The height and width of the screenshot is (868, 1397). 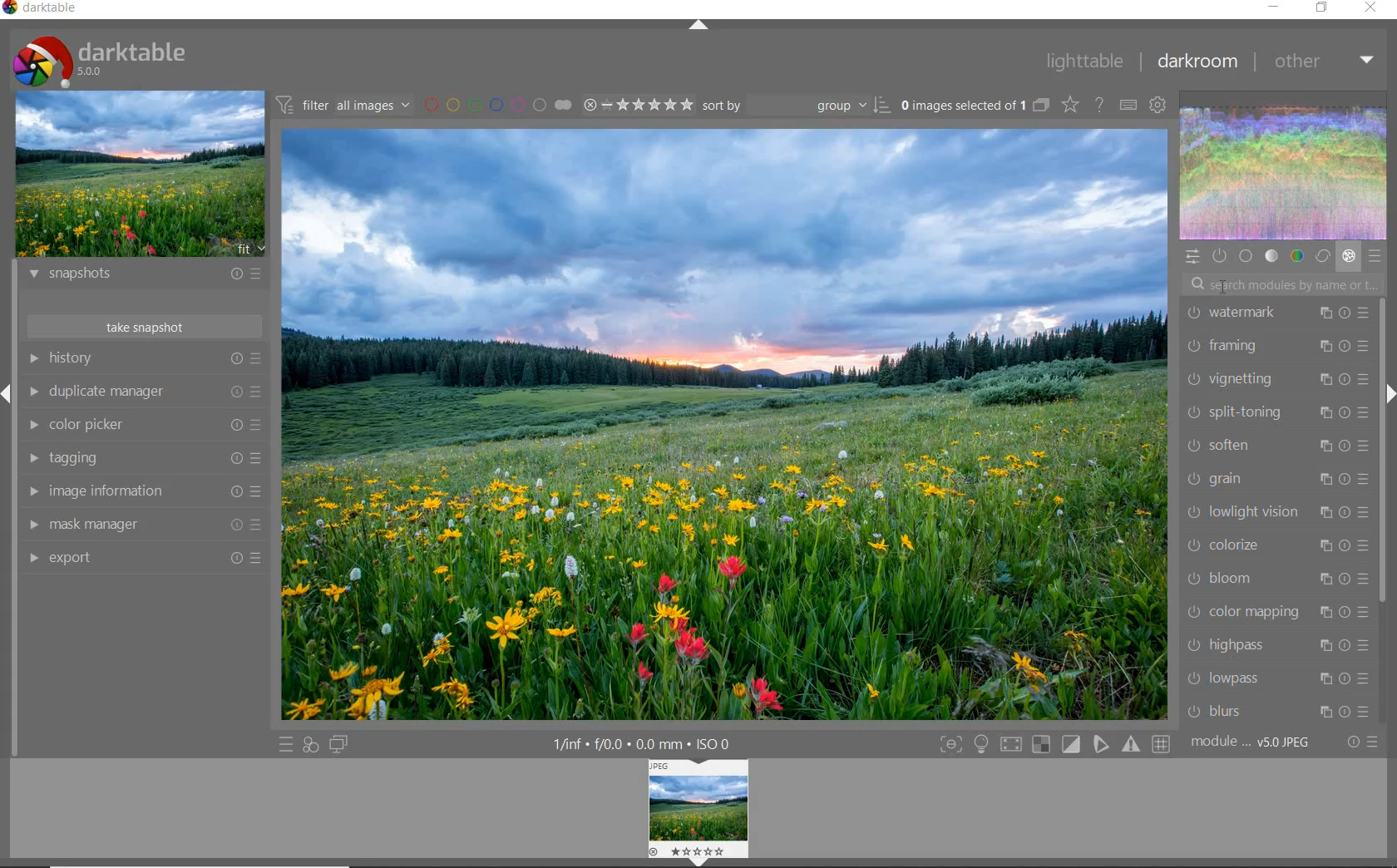 What do you see at coordinates (1275, 581) in the screenshot?
I see `bloom` at bounding box center [1275, 581].